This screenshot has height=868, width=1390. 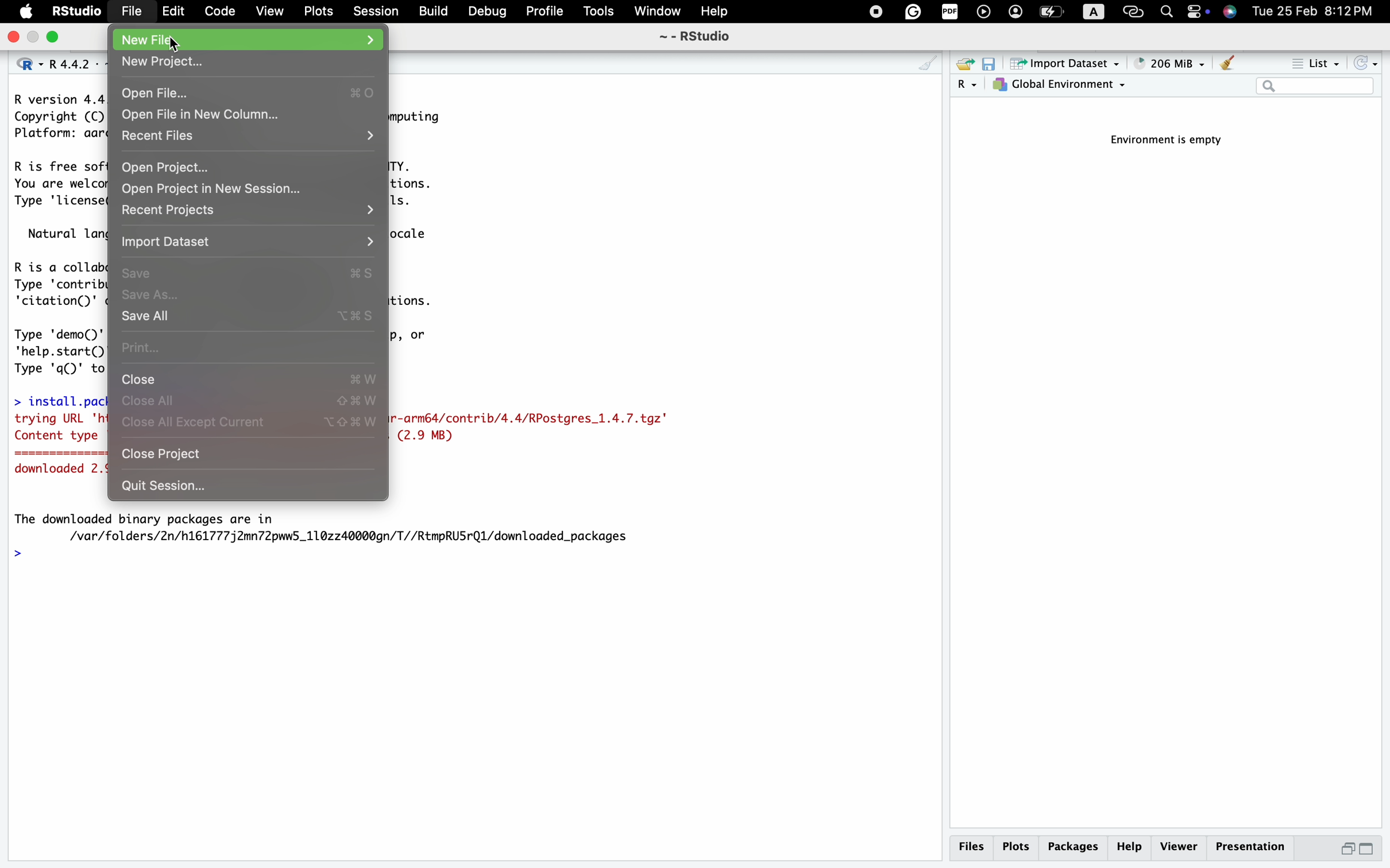 I want to click on window, so click(x=658, y=11).